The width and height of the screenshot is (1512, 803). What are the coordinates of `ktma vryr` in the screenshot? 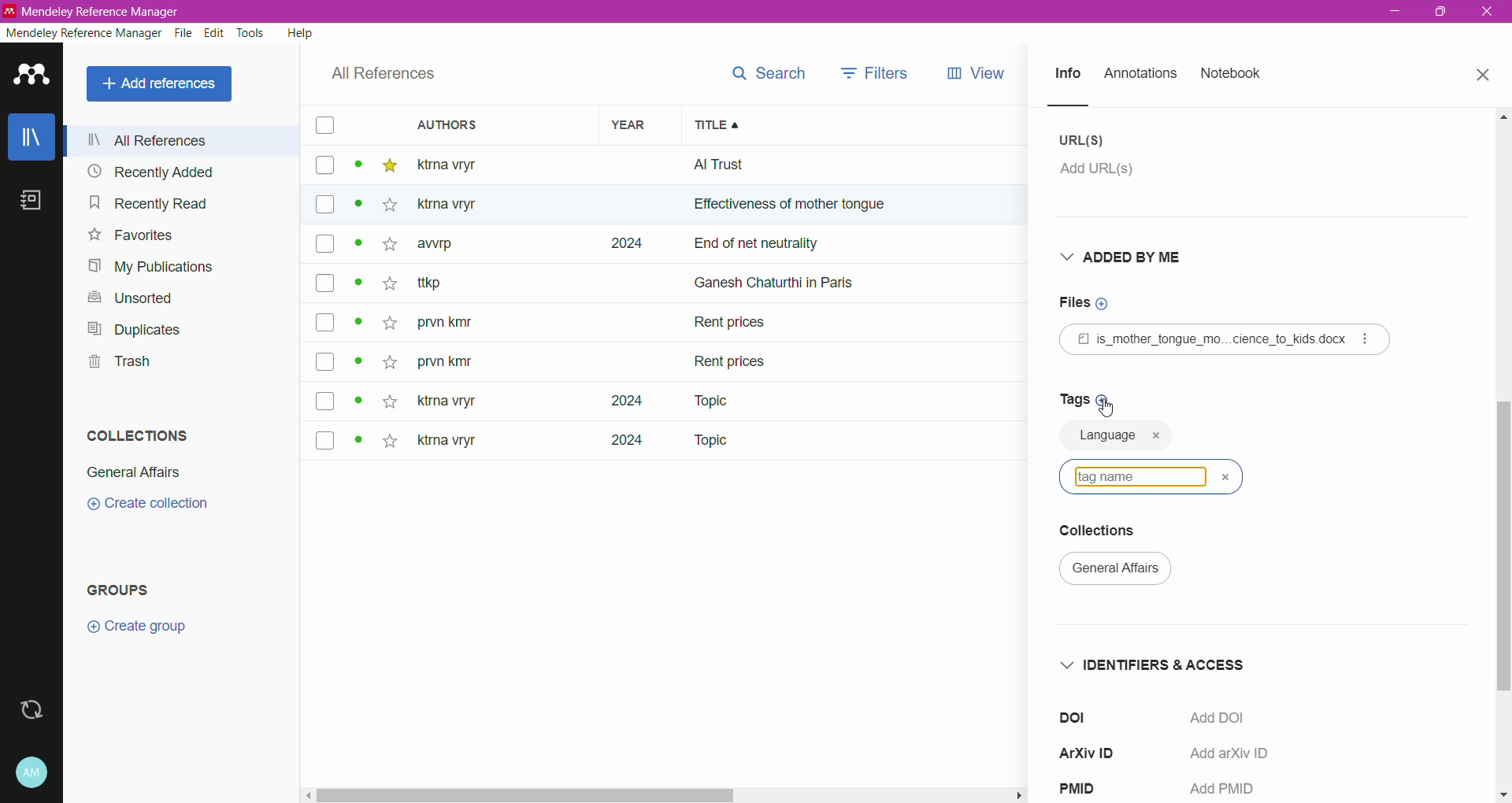 It's located at (447, 444).